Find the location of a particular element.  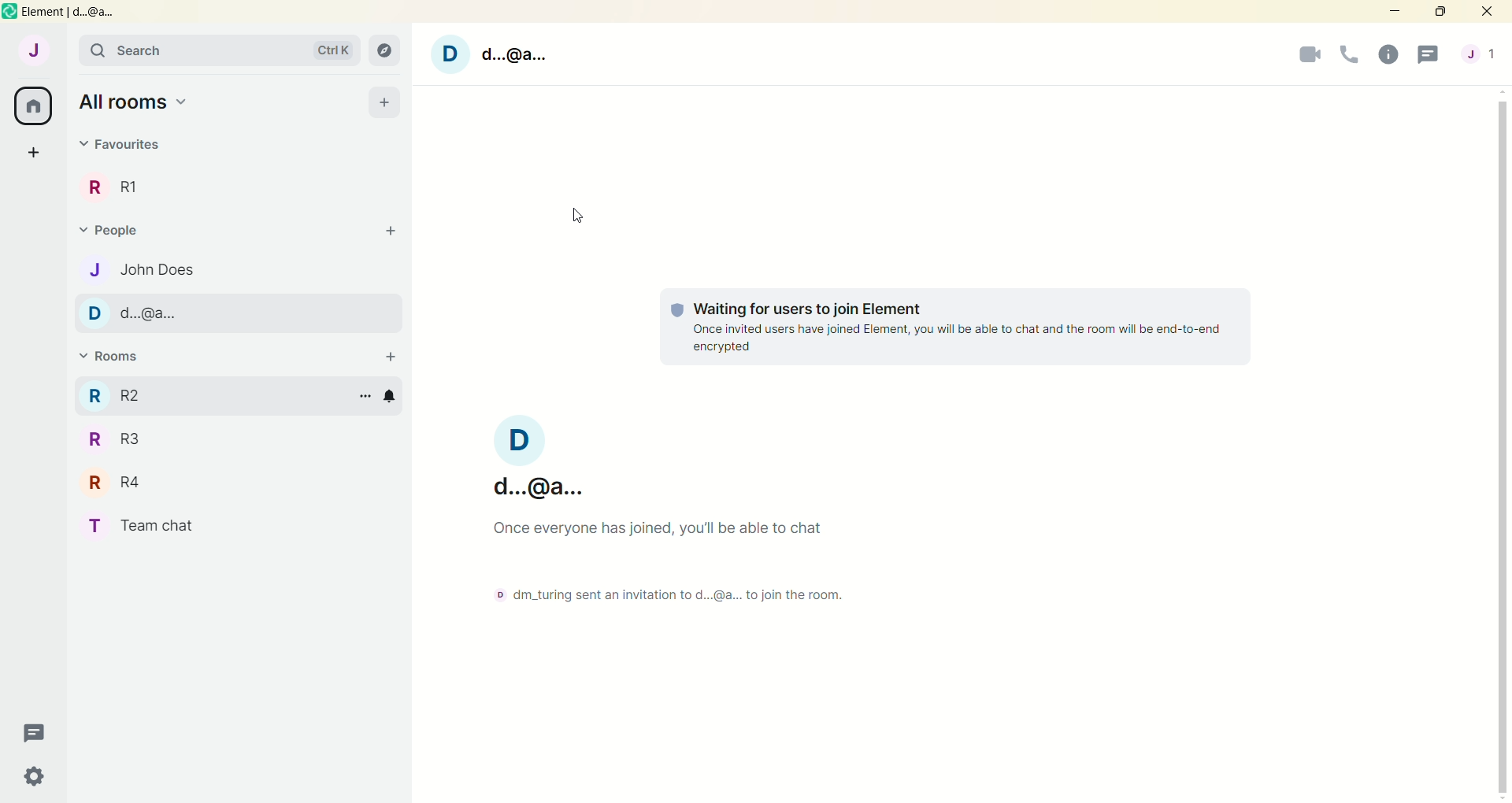

account is located at coordinates (543, 457).